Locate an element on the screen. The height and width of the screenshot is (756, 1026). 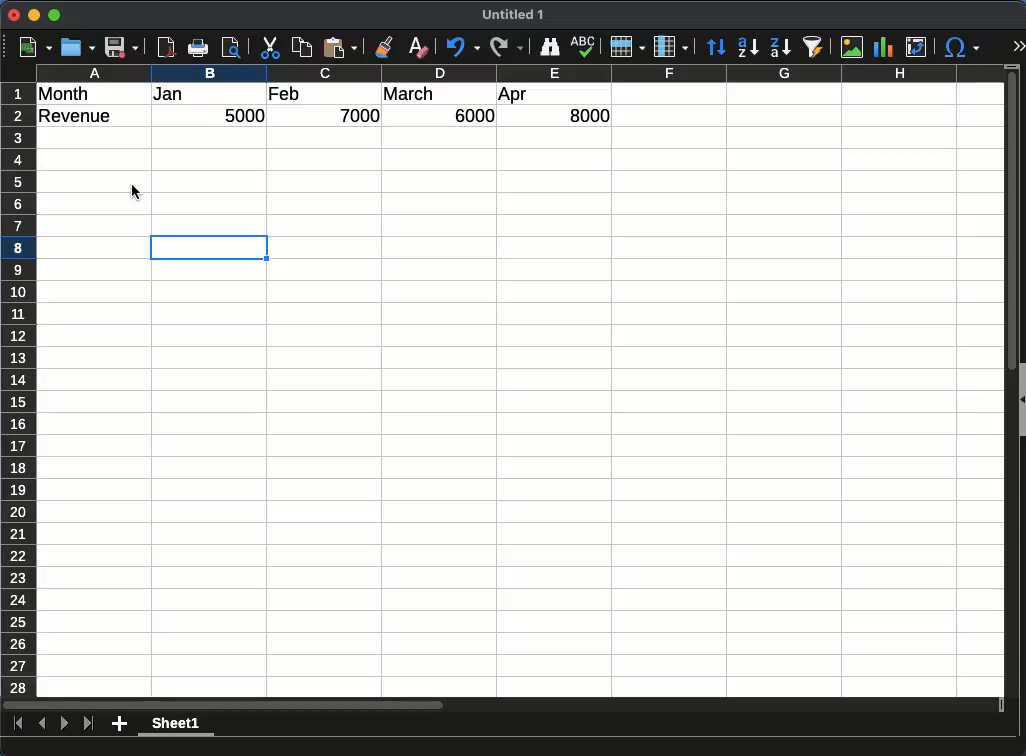
row is located at coordinates (626, 47).